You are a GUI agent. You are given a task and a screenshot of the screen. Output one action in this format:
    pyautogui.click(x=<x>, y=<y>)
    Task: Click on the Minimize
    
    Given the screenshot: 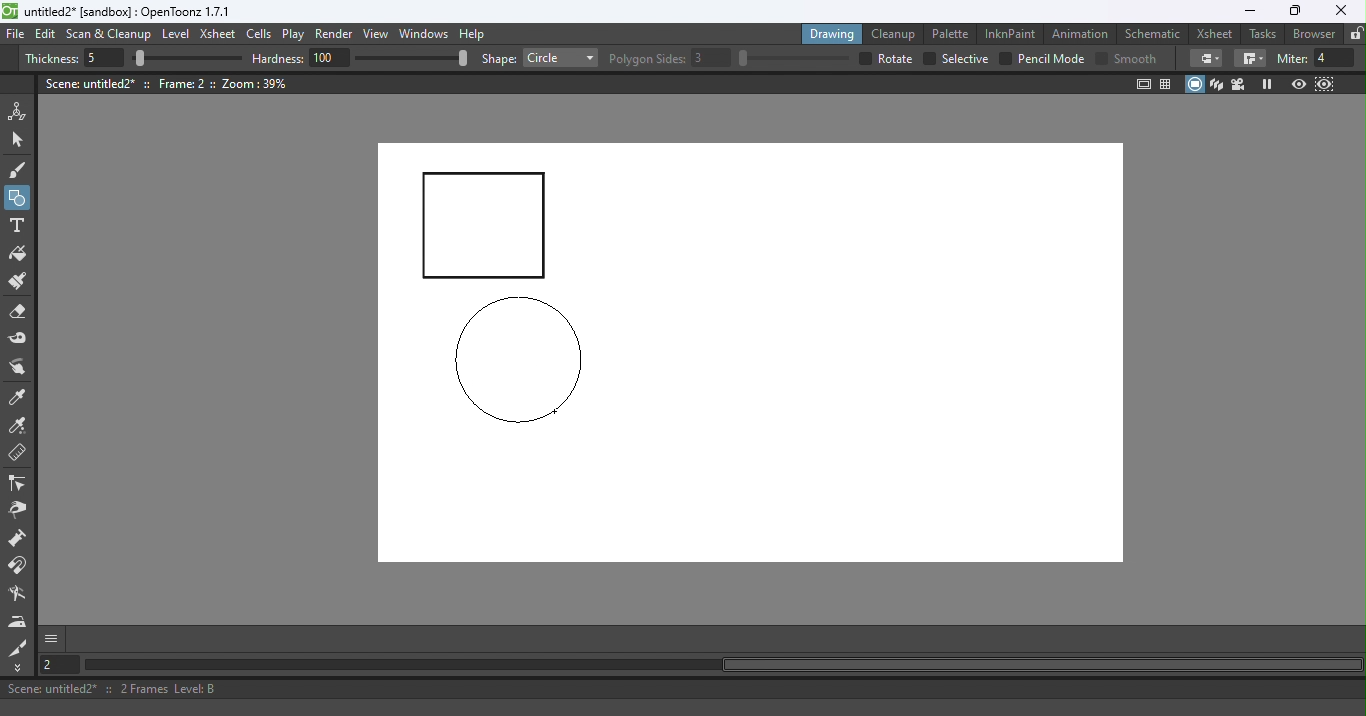 What is the action you would take?
    pyautogui.click(x=1249, y=11)
    